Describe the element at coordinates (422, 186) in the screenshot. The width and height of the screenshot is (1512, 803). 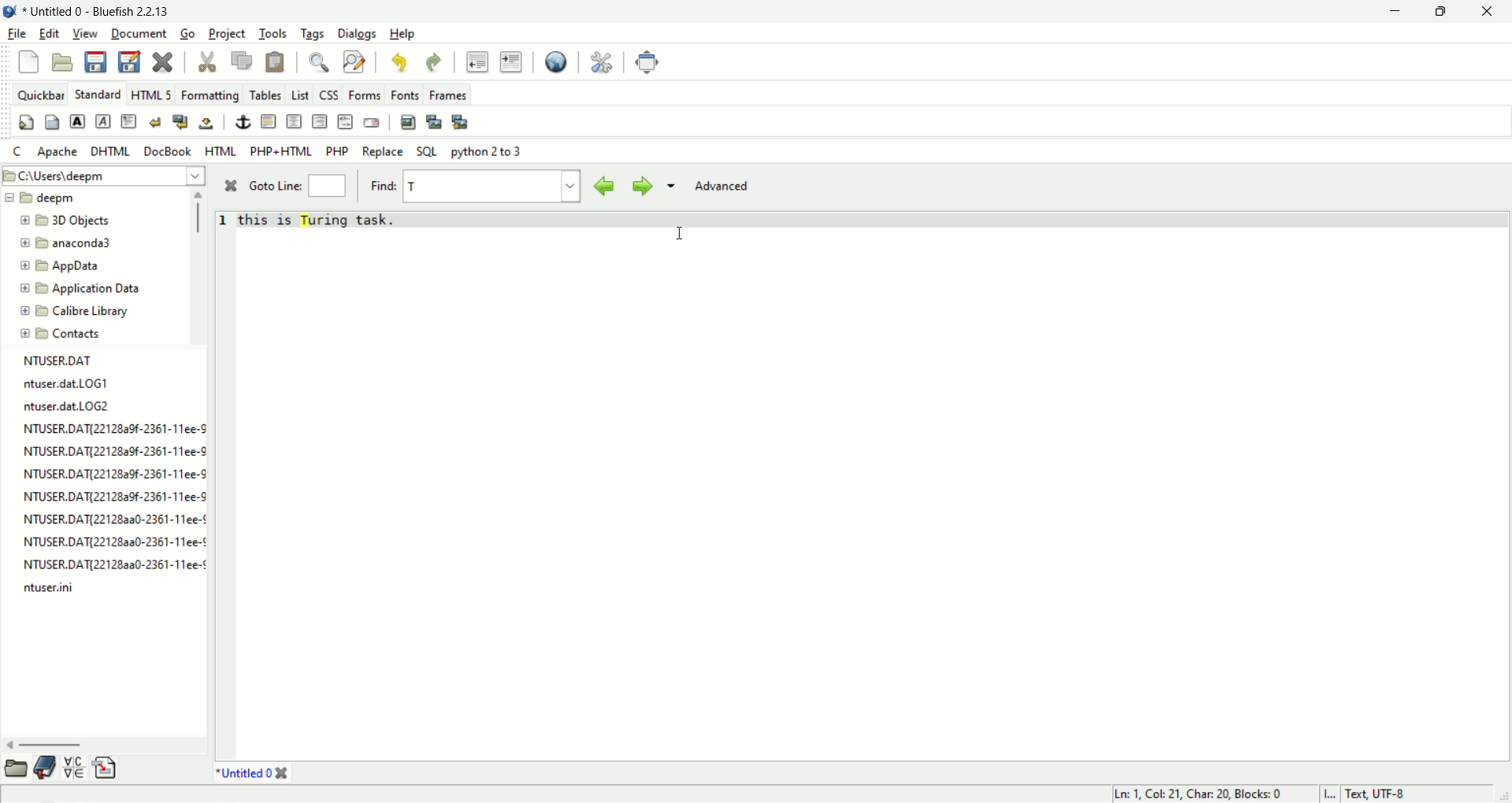
I see `Input text` at that location.